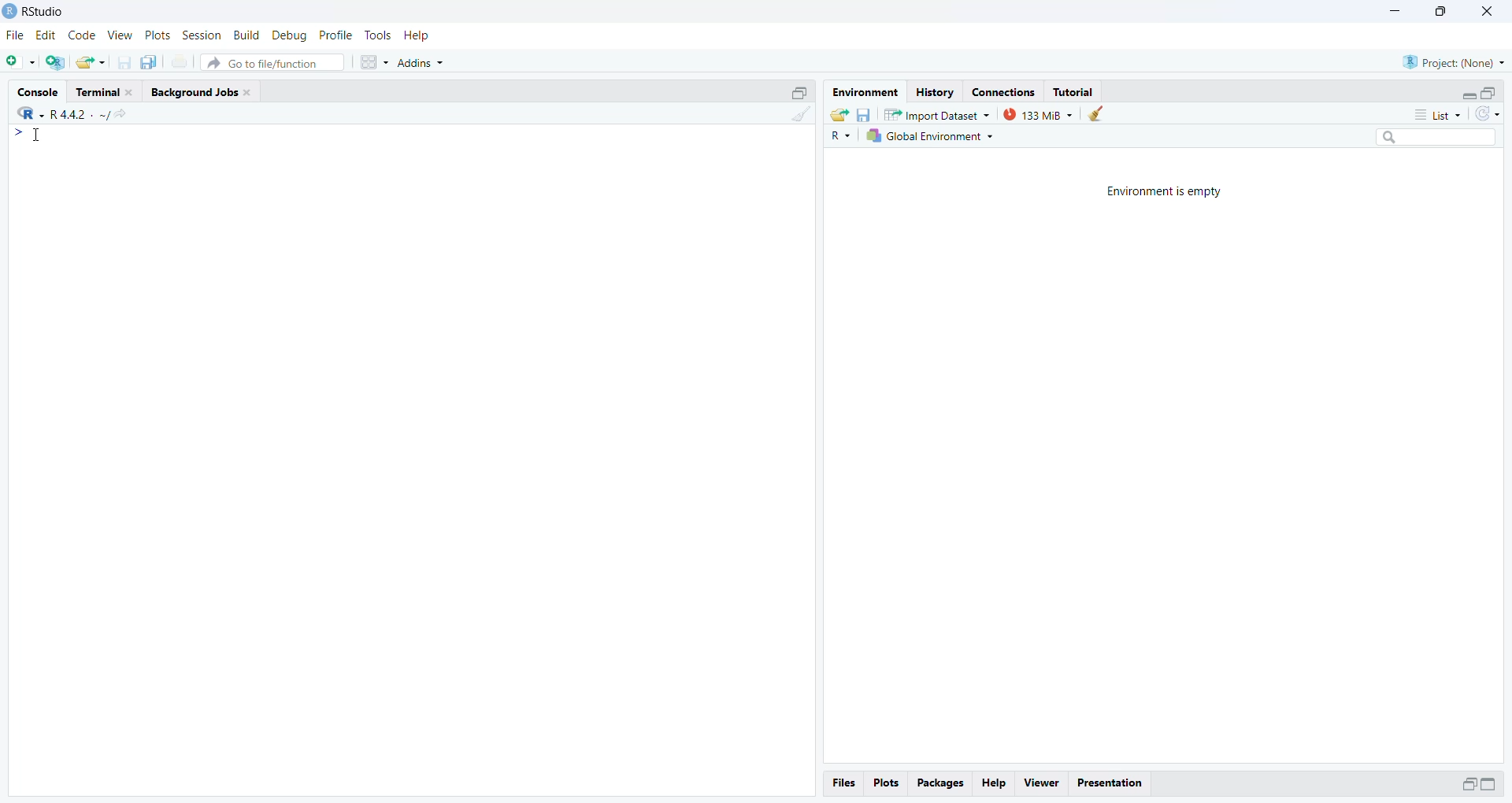 The image size is (1512, 803). I want to click on Maximize, so click(1489, 94).